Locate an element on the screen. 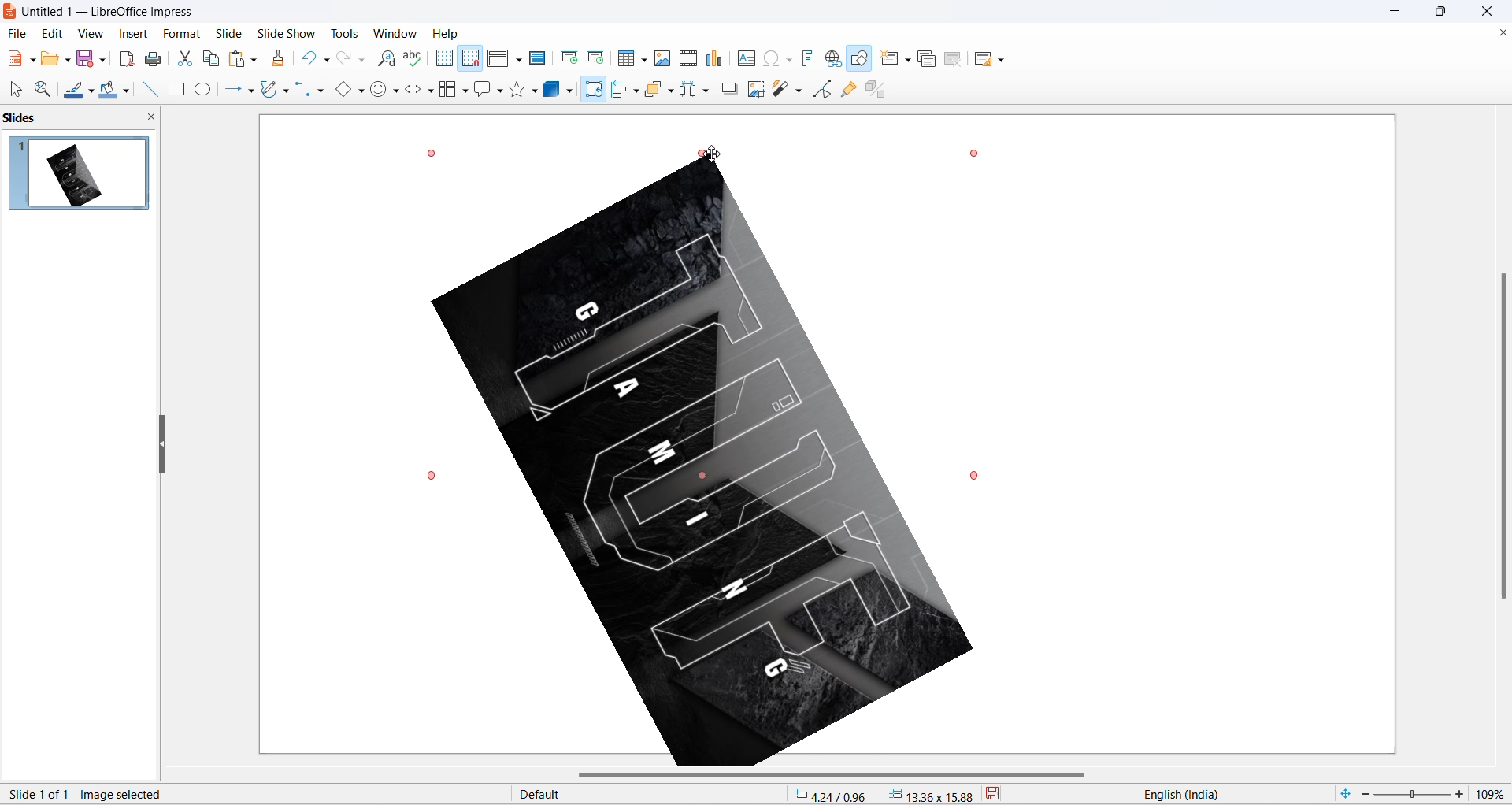  delete slide is located at coordinates (954, 61).